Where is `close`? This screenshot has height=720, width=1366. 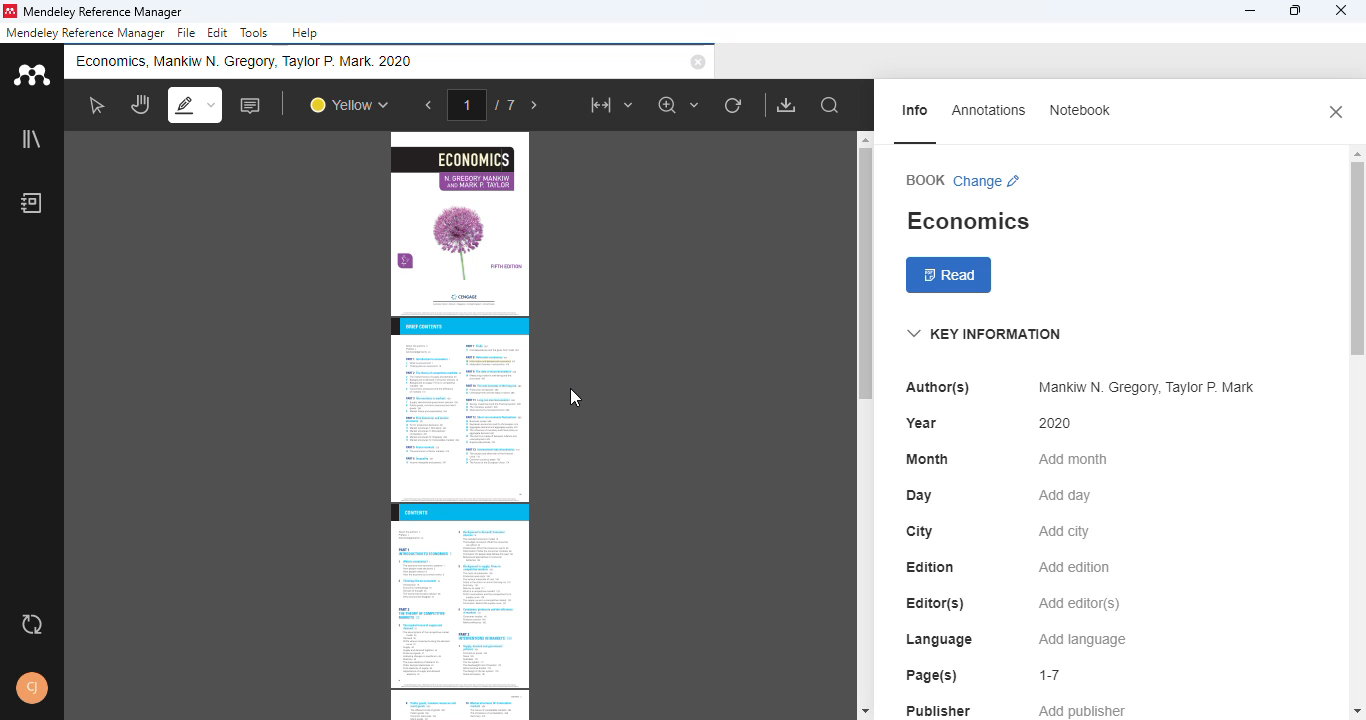
close is located at coordinates (1336, 111).